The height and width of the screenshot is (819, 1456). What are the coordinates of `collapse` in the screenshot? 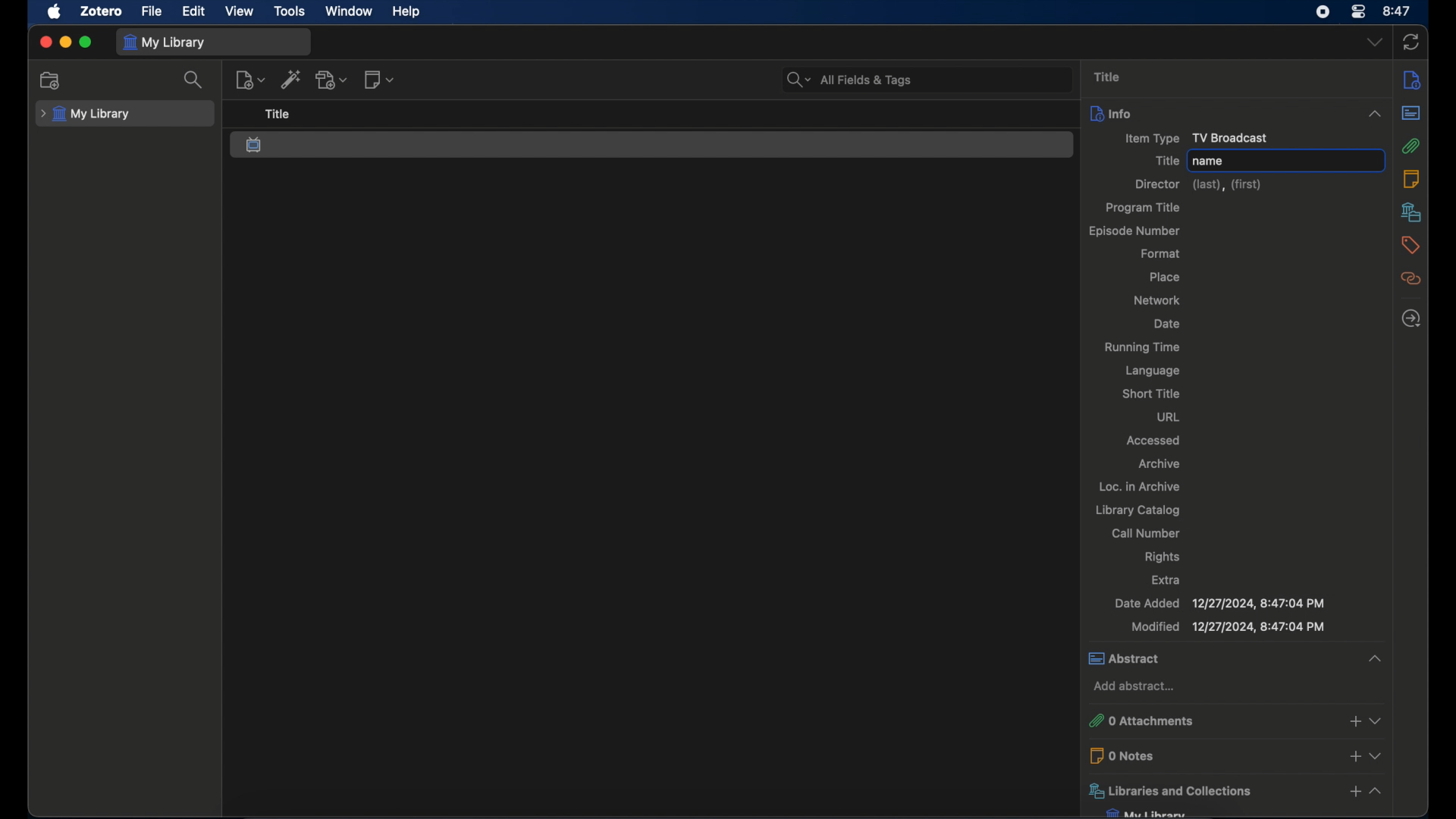 It's located at (1385, 656).